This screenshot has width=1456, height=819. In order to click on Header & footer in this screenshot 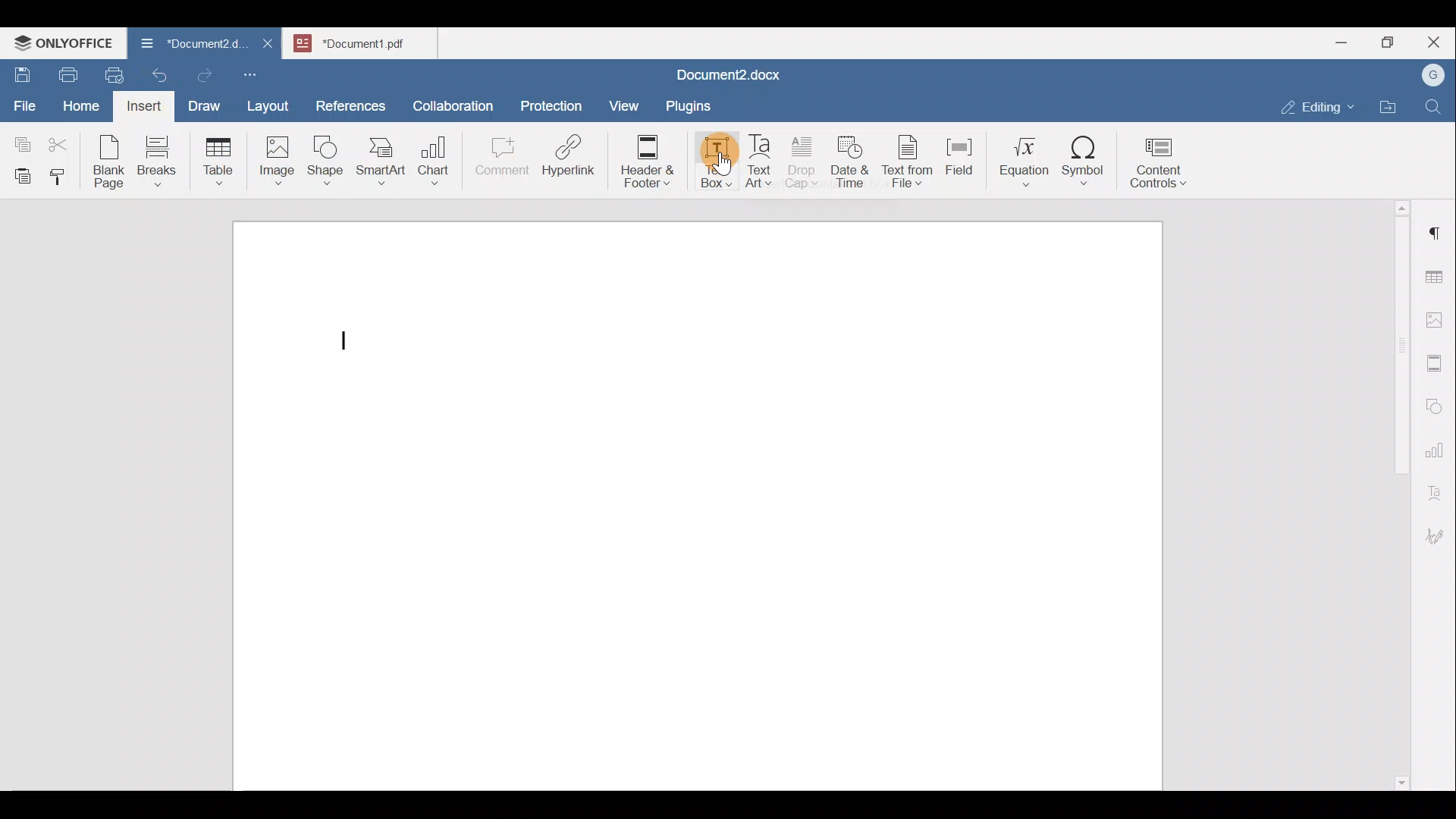, I will do `click(642, 160)`.